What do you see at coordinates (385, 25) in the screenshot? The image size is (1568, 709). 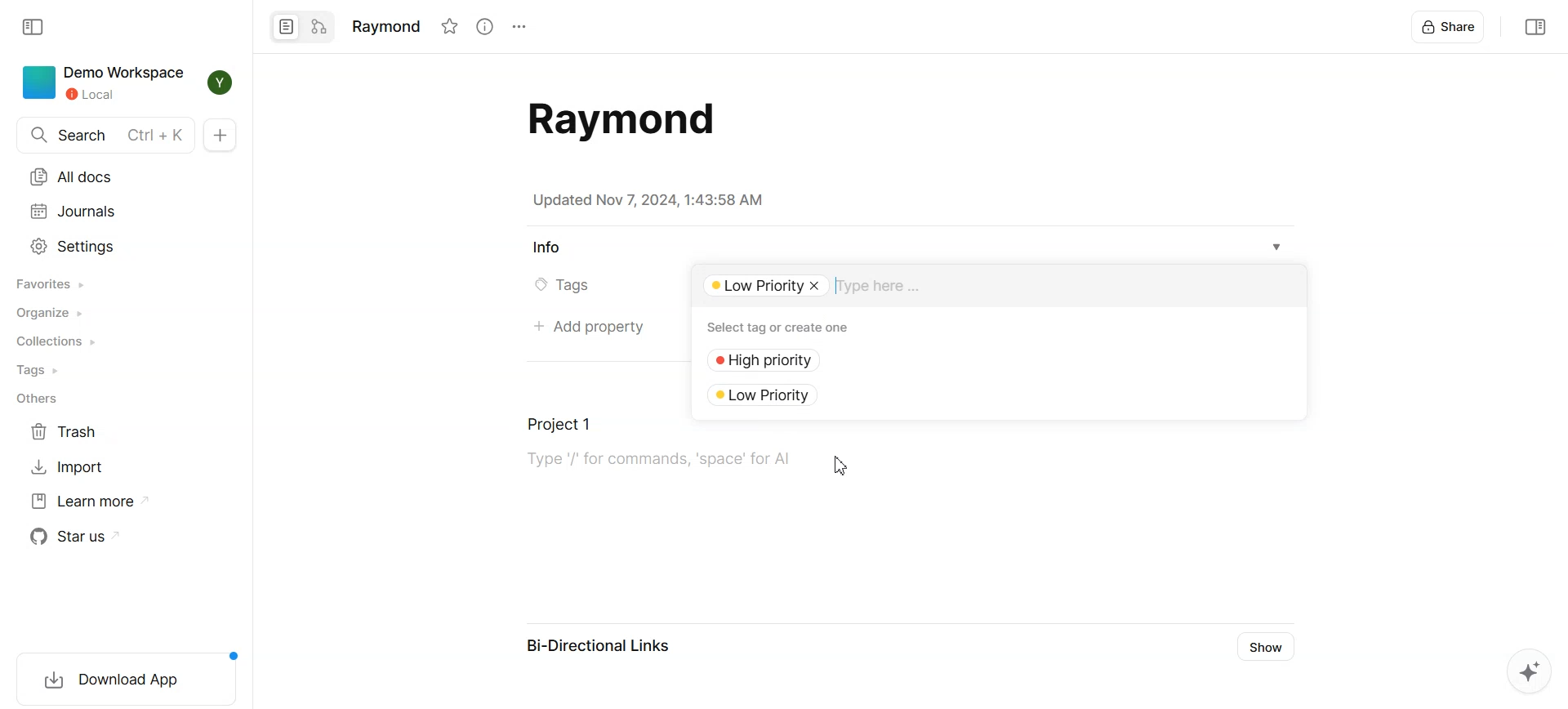 I see `Raymond` at bounding box center [385, 25].